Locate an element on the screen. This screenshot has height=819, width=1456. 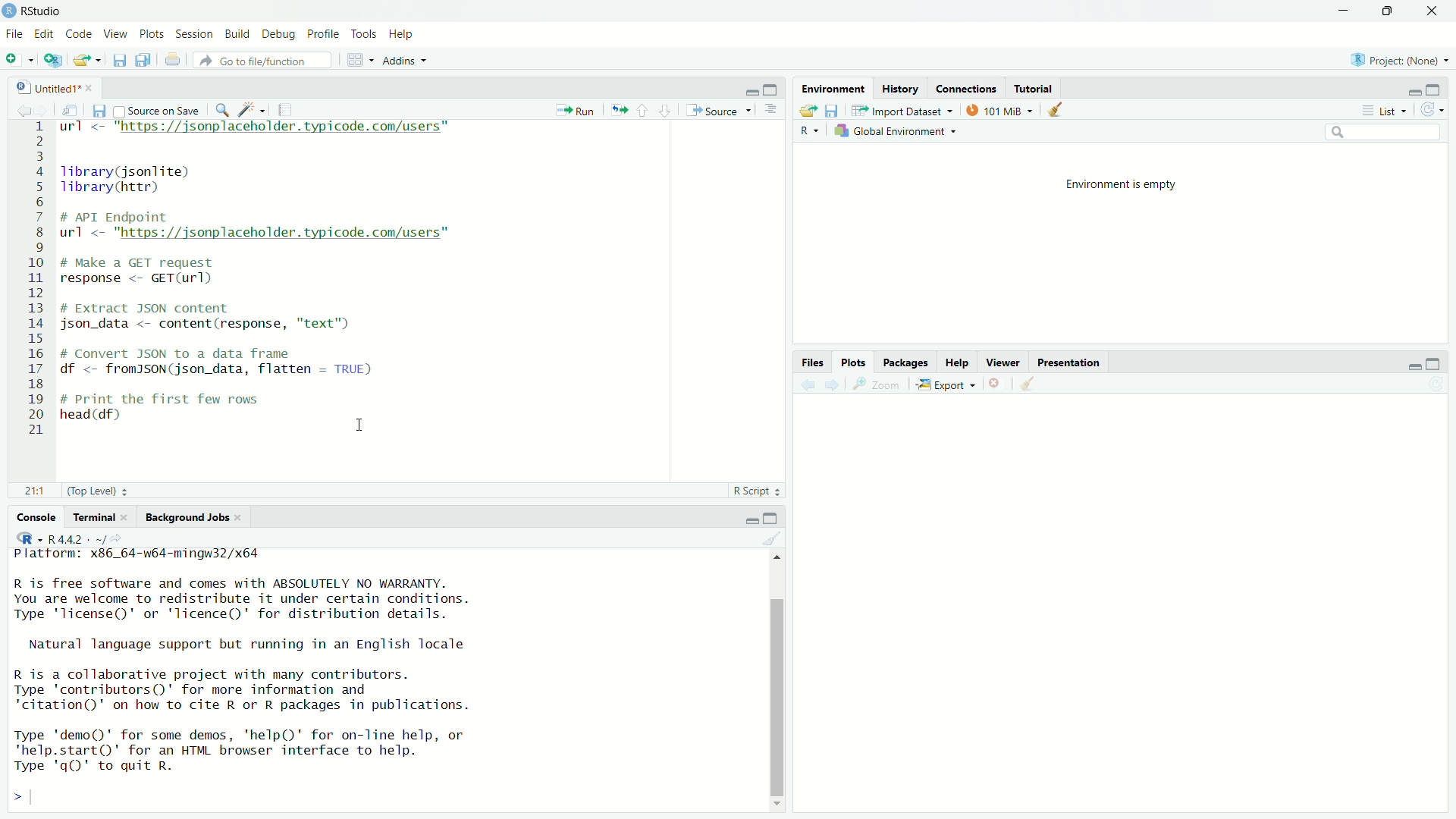
Scroll is located at coordinates (779, 681).